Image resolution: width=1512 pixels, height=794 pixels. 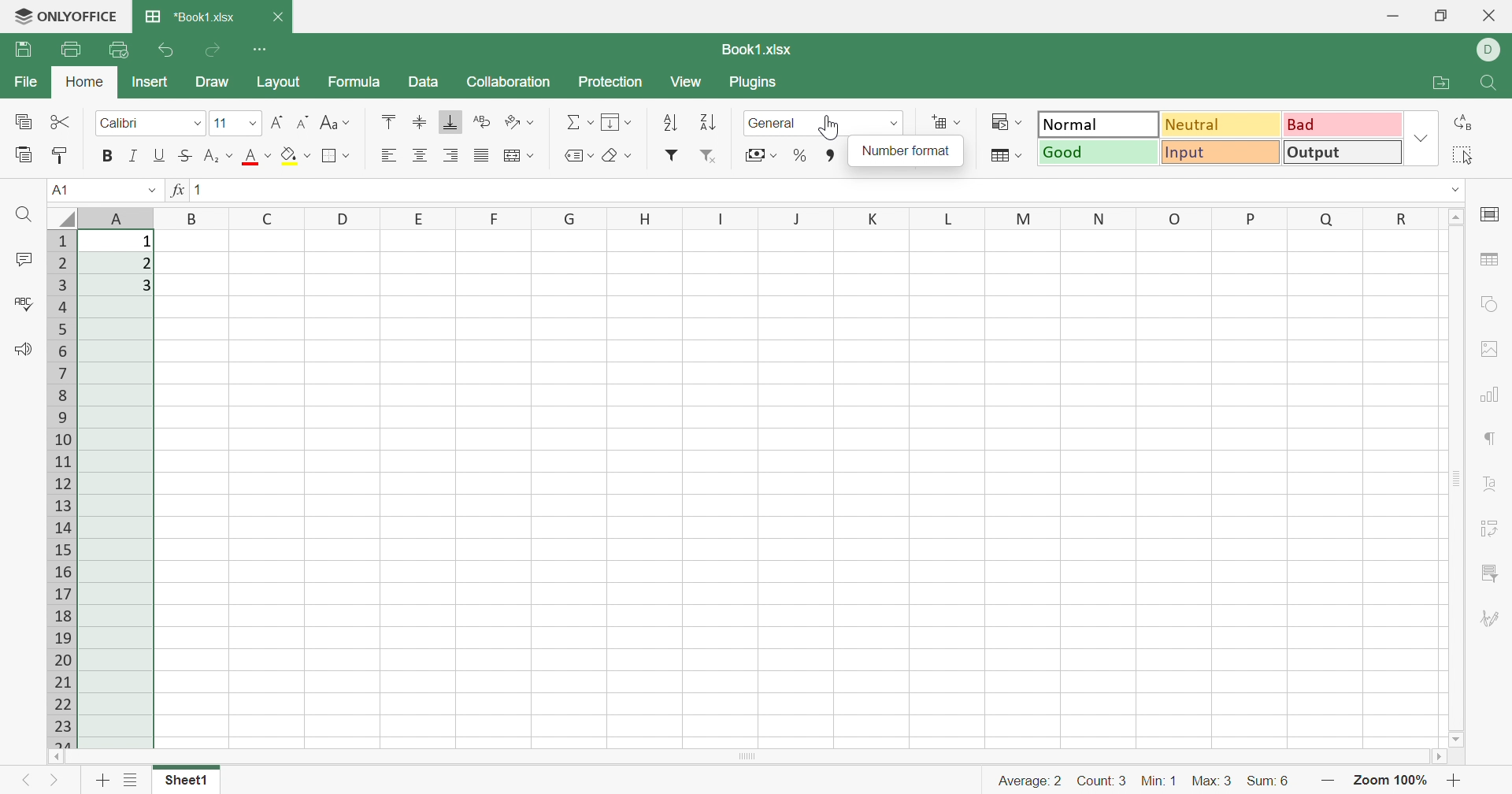 I want to click on Spell checking, so click(x=26, y=305).